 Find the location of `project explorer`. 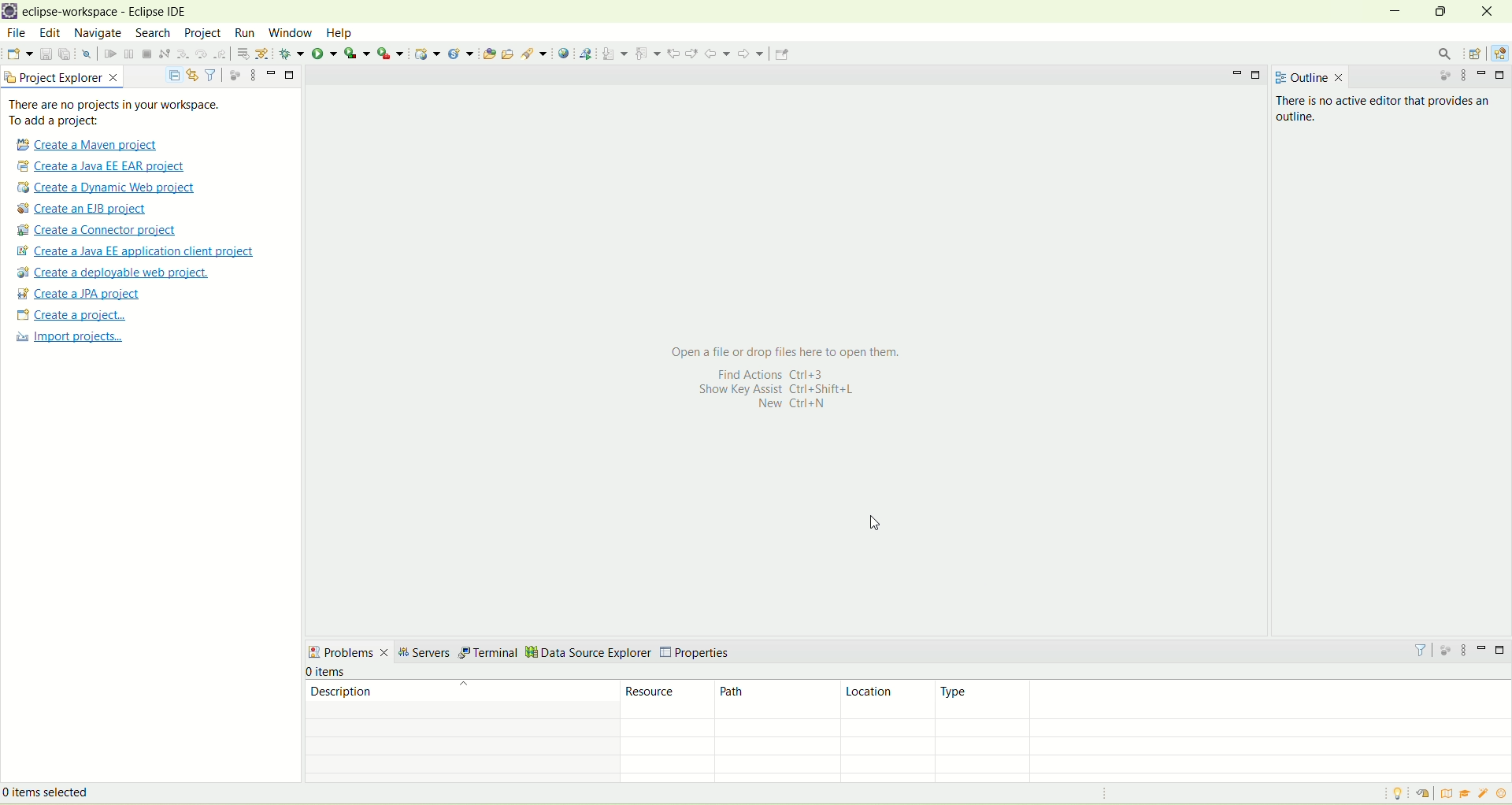

project explorer is located at coordinates (62, 77).